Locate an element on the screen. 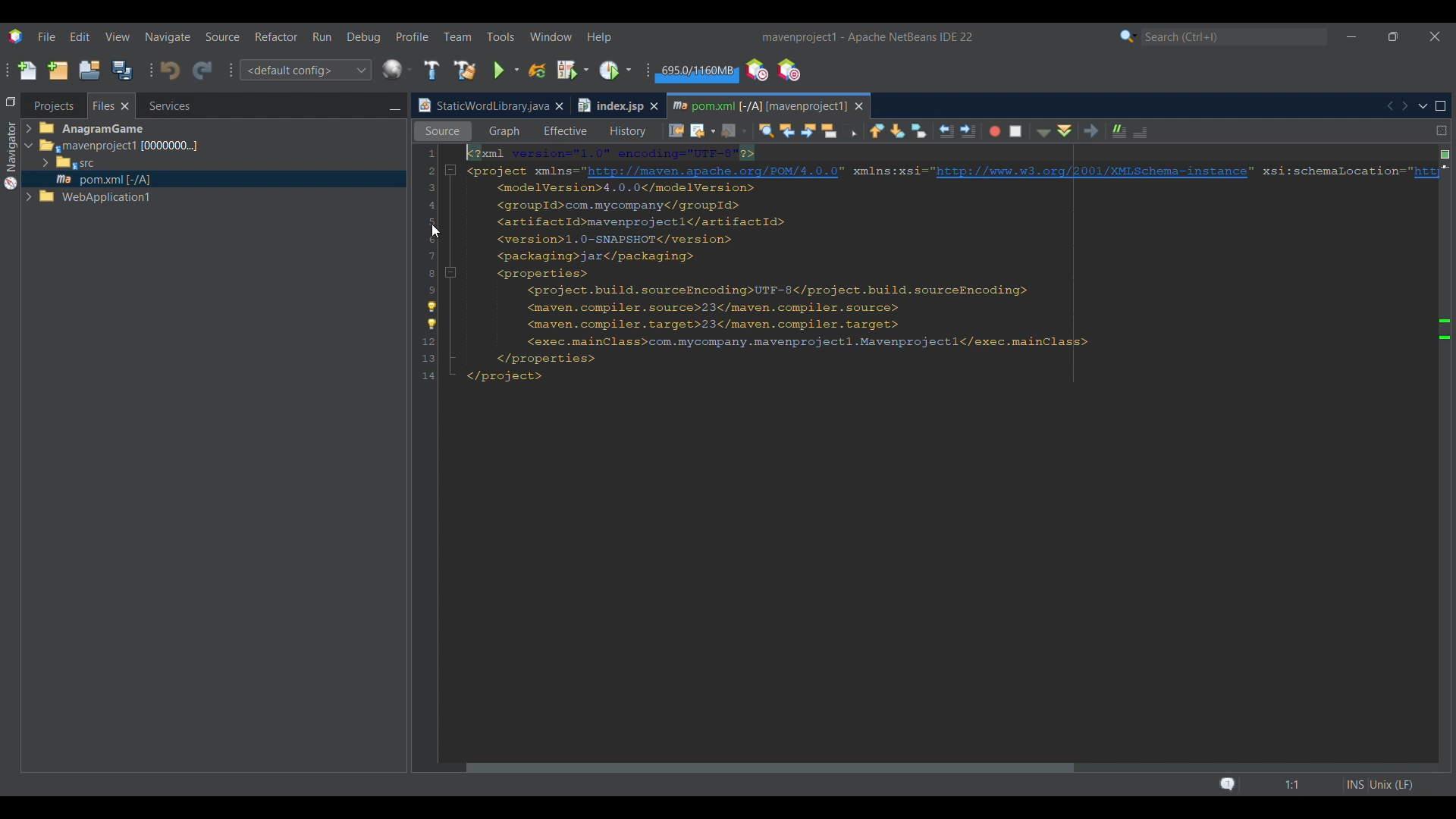  No errors is located at coordinates (1445, 155).